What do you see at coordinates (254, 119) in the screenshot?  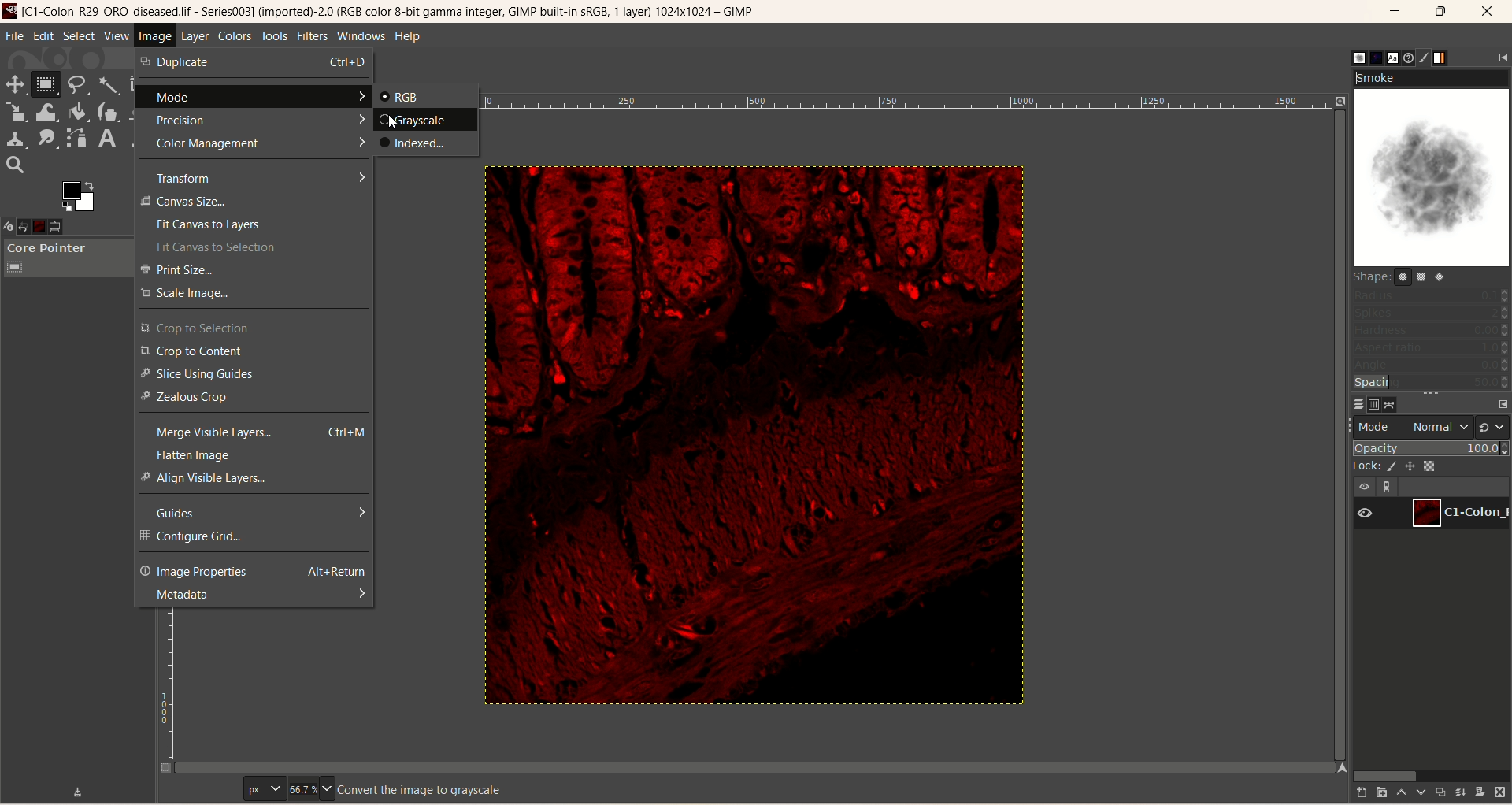 I see `precision` at bounding box center [254, 119].